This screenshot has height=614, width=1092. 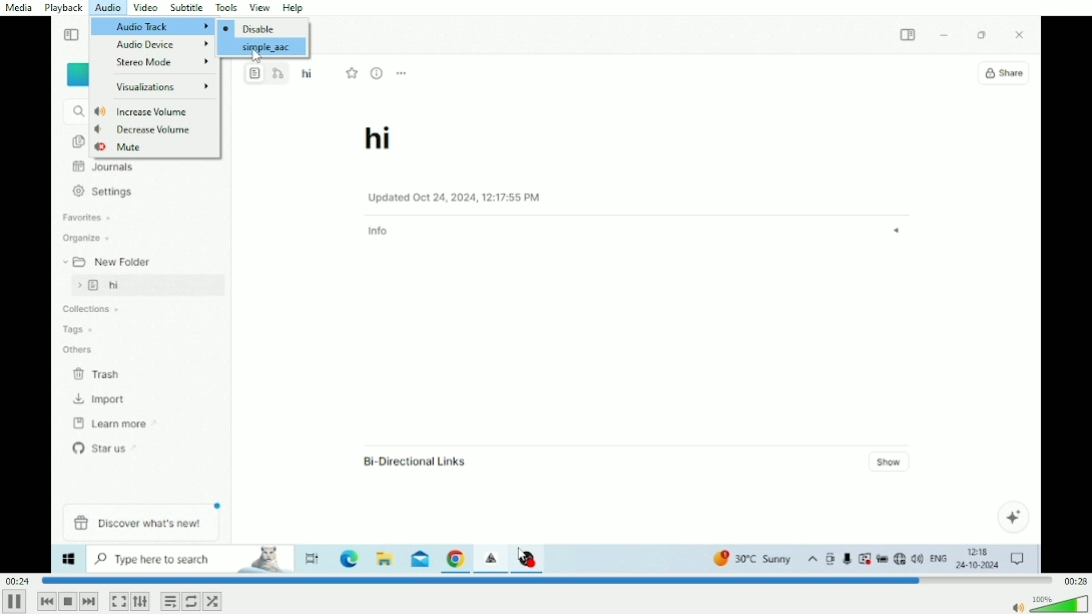 What do you see at coordinates (164, 45) in the screenshot?
I see `Audio Device` at bounding box center [164, 45].